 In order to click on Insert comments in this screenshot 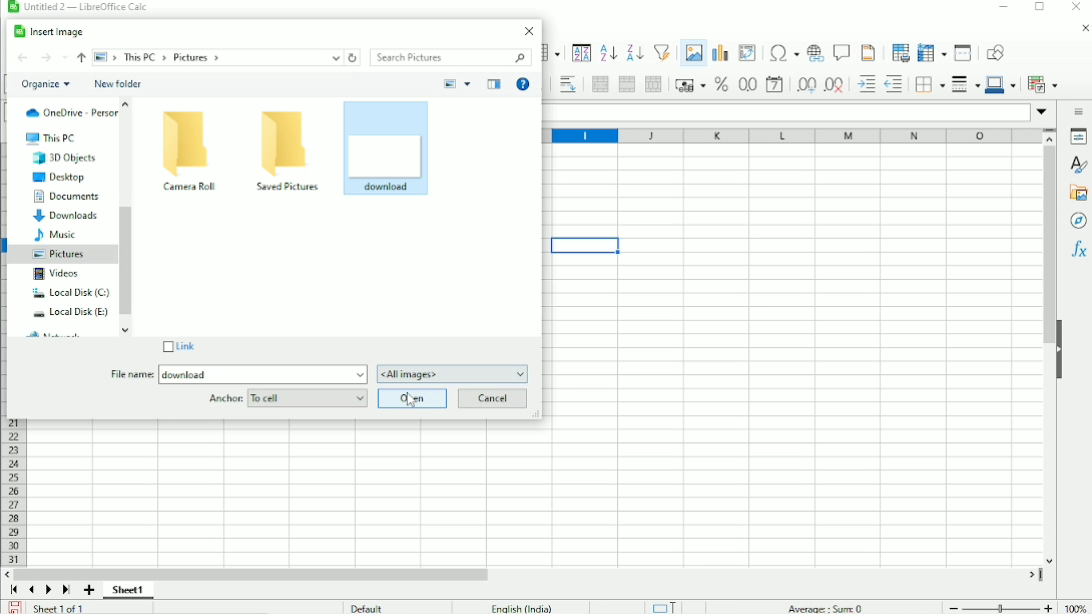, I will do `click(843, 52)`.